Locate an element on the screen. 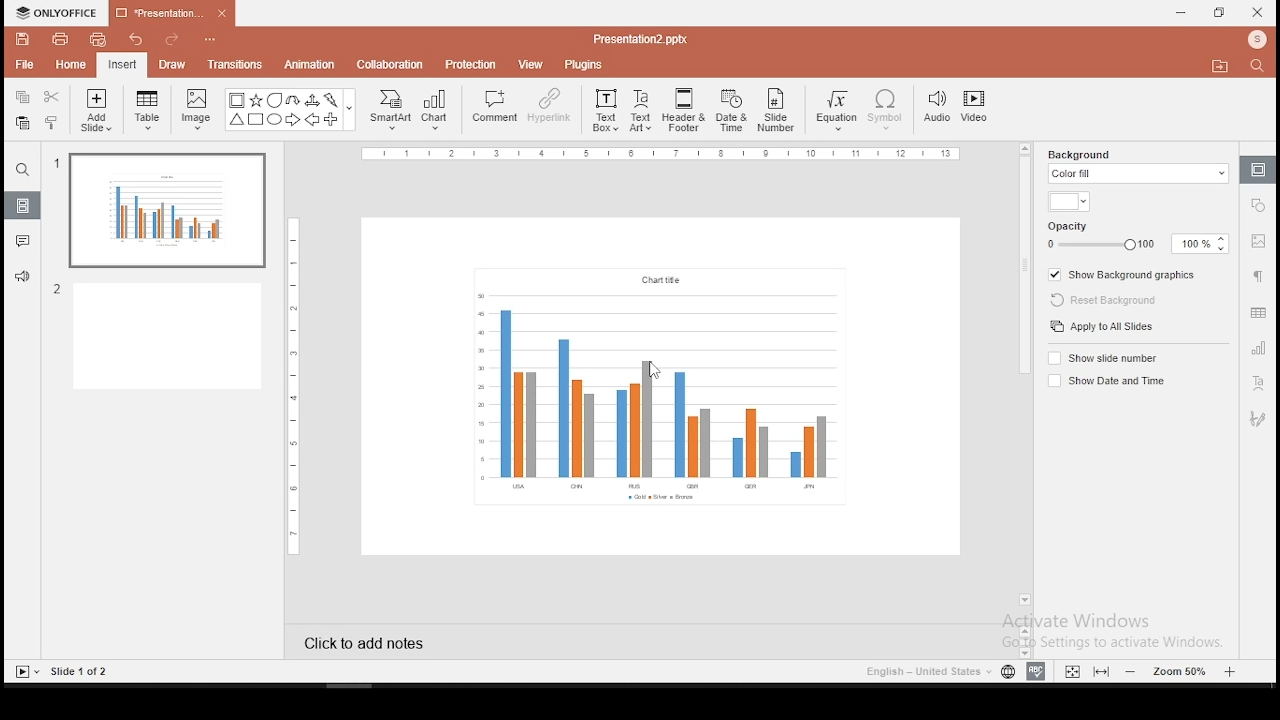 Image resolution: width=1280 pixels, height=720 pixels. slide number is located at coordinates (778, 109).